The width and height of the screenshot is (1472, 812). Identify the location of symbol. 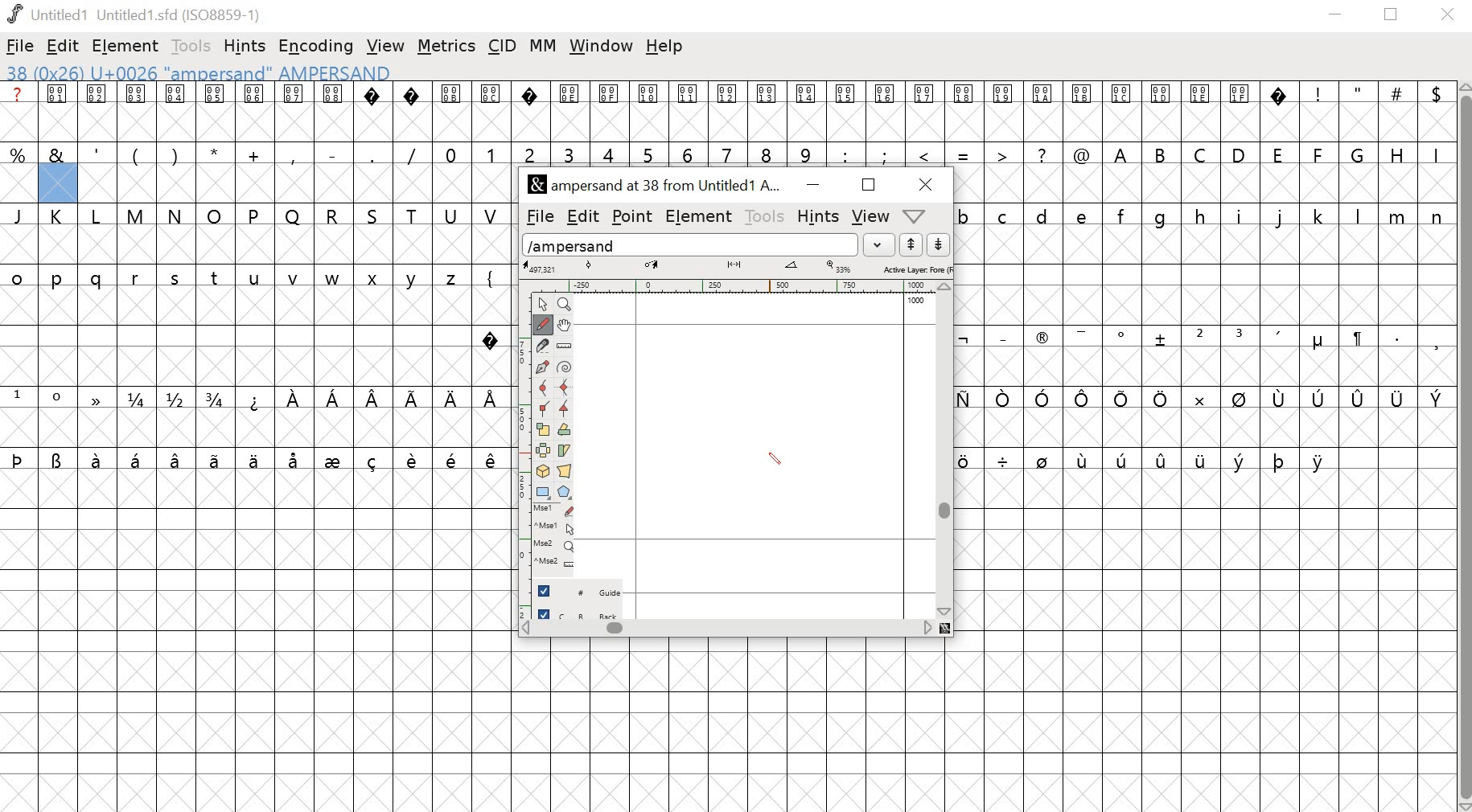
(177, 459).